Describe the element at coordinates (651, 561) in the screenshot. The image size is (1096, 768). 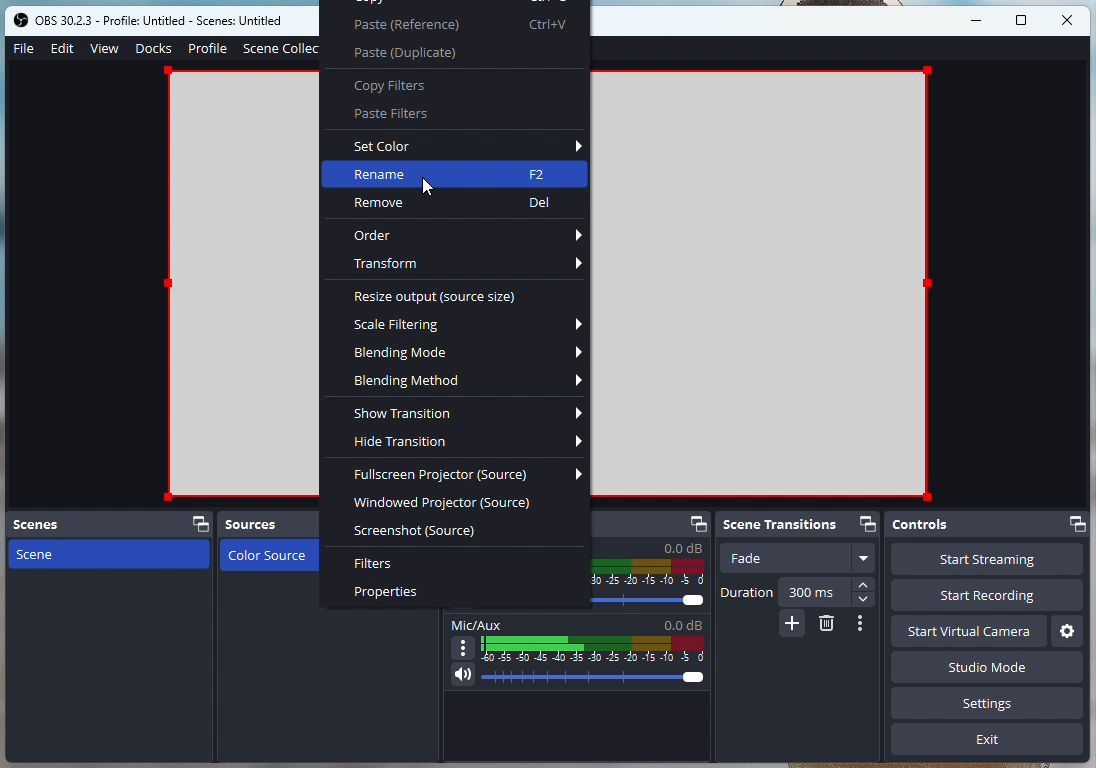
I see `Desktop Audio` at that location.